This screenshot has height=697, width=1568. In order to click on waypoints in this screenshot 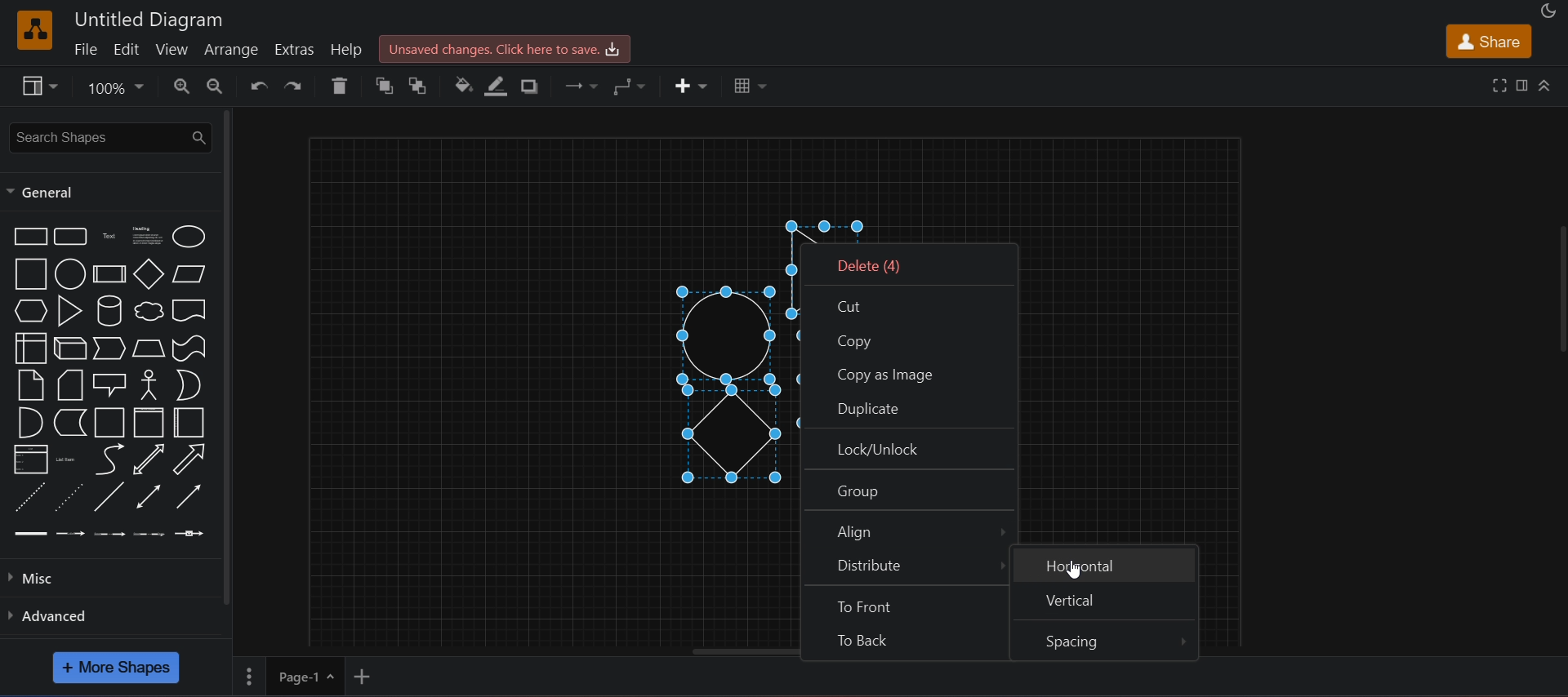, I will do `click(637, 87)`.